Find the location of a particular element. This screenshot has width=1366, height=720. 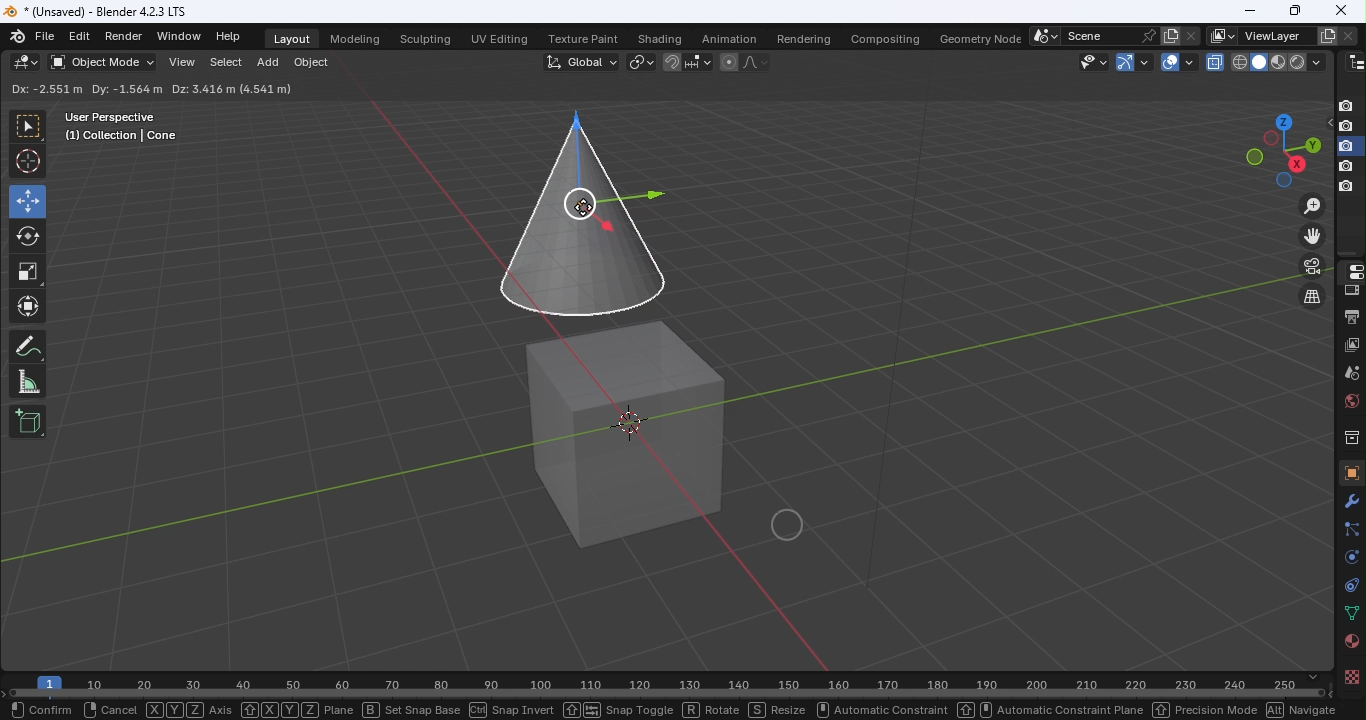

Physics is located at coordinates (1349, 556).